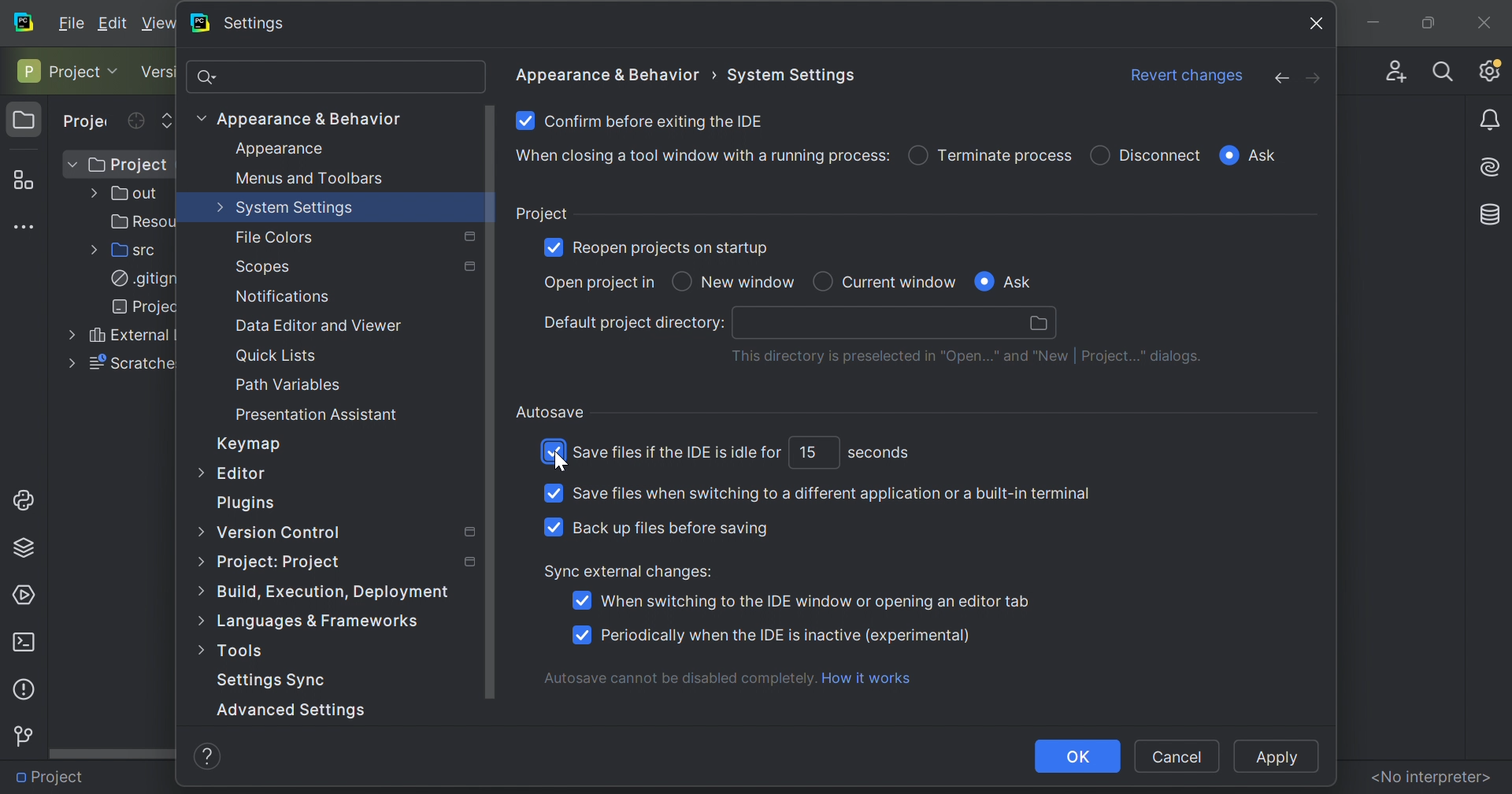 The height and width of the screenshot is (794, 1512). Describe the element at coordinates (87, 122) in the screenshot. I see `Project` at that location.